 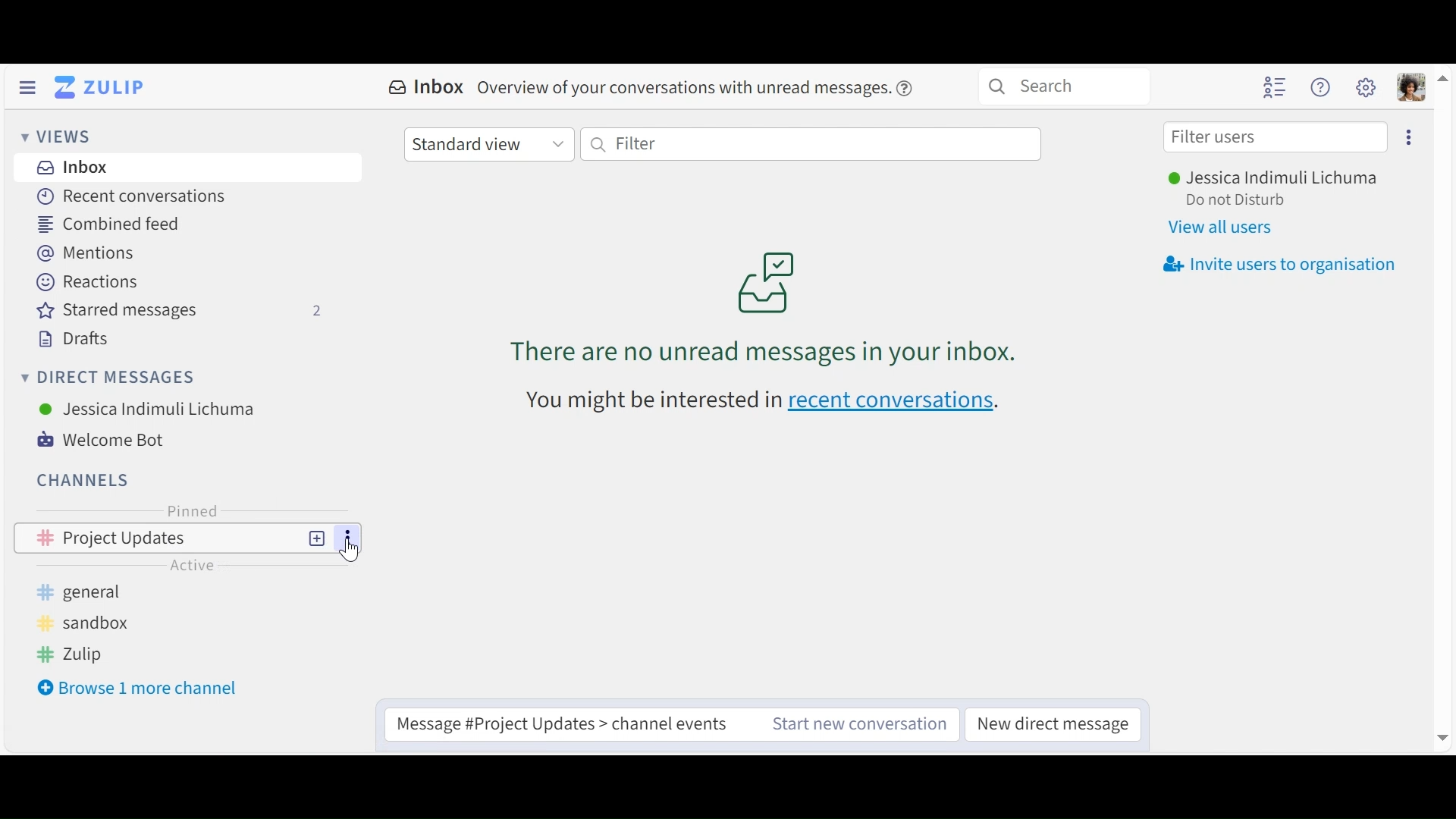 I want to click on Main menu, so click(x=1367, y=87).